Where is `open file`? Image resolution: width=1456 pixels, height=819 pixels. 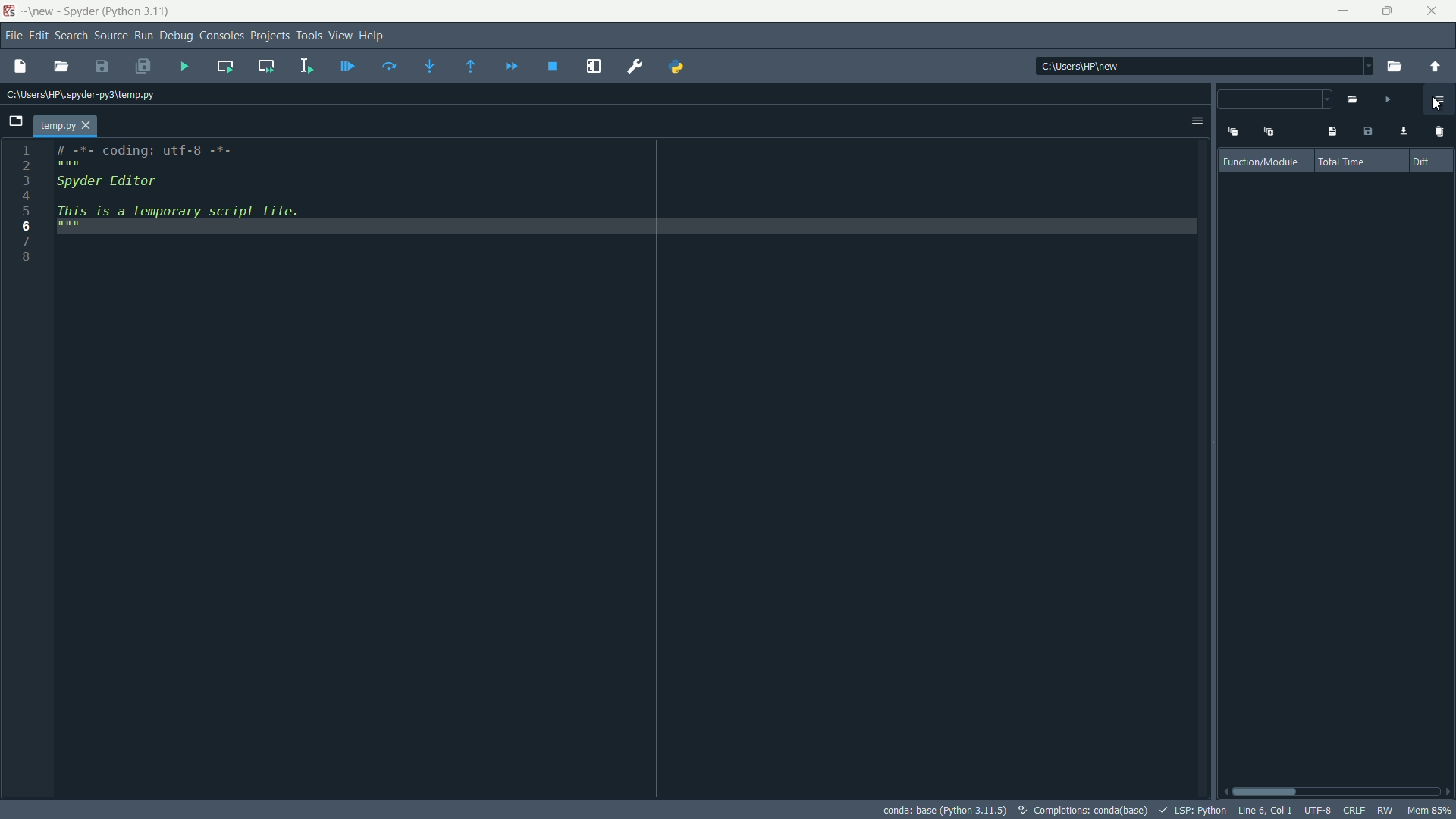
open file is located at coordinates (1395, 67).